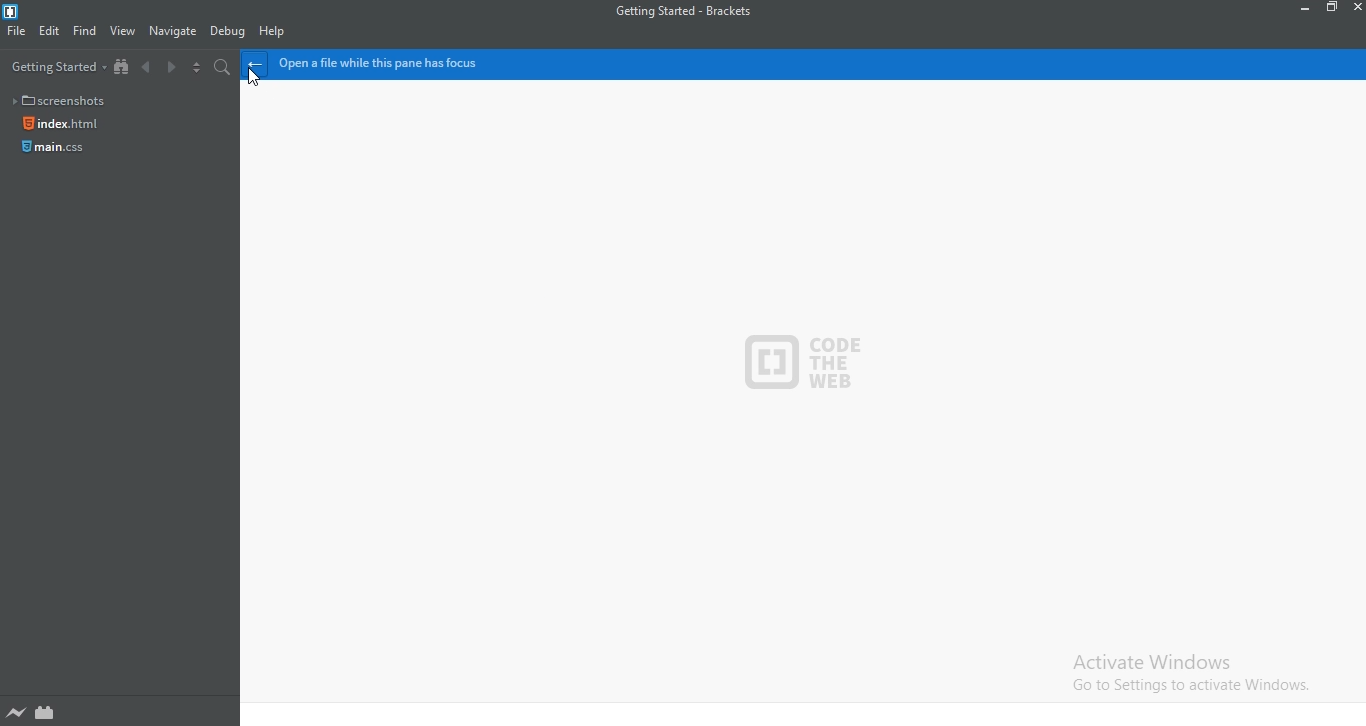 This screenshot has width=1366, height=726. Describe the element at coordinates (53, 149) in the screenshot. I see `main.css` at that location.